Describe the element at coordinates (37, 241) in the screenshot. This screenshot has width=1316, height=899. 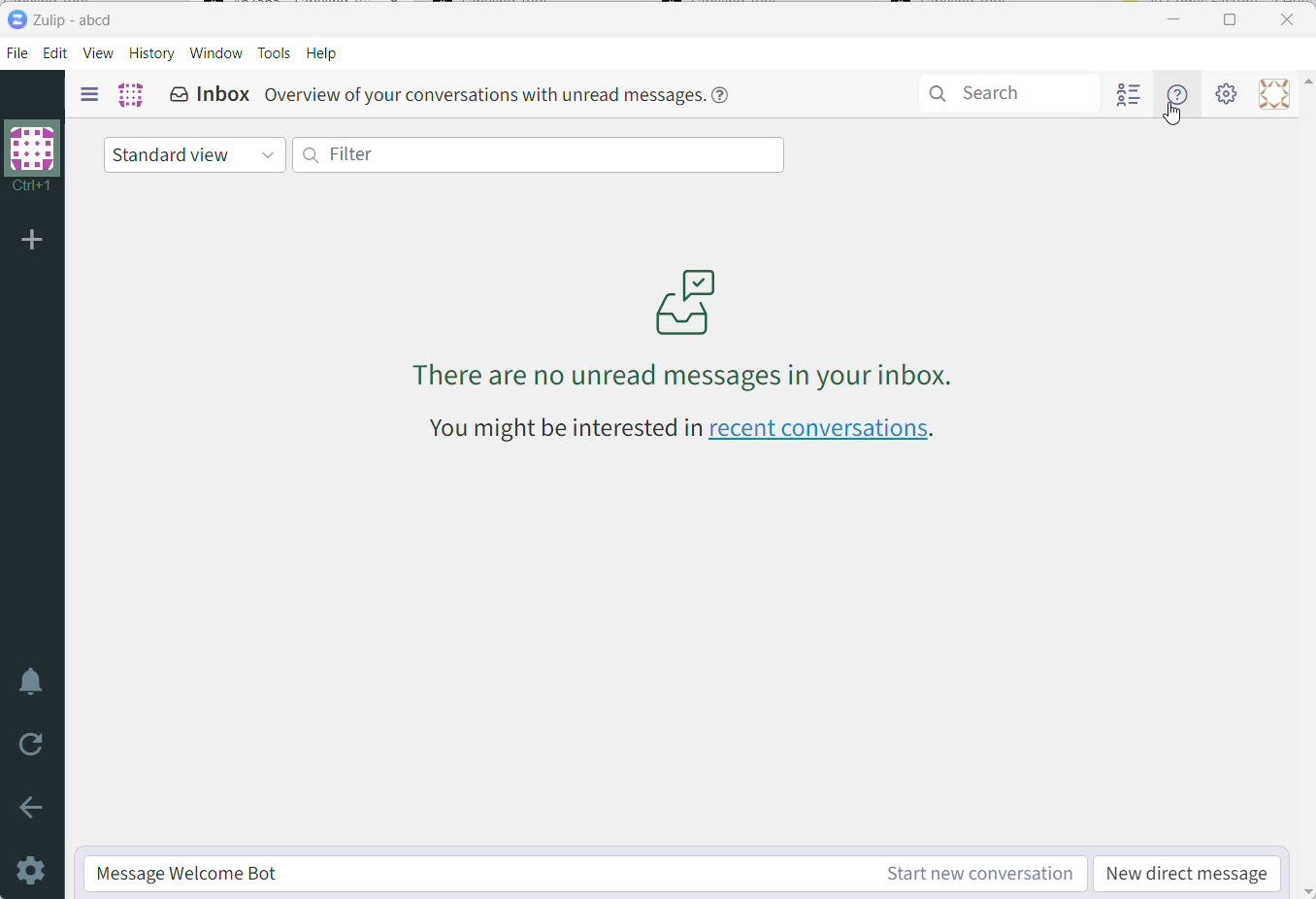
I see `Add organization` at that location.